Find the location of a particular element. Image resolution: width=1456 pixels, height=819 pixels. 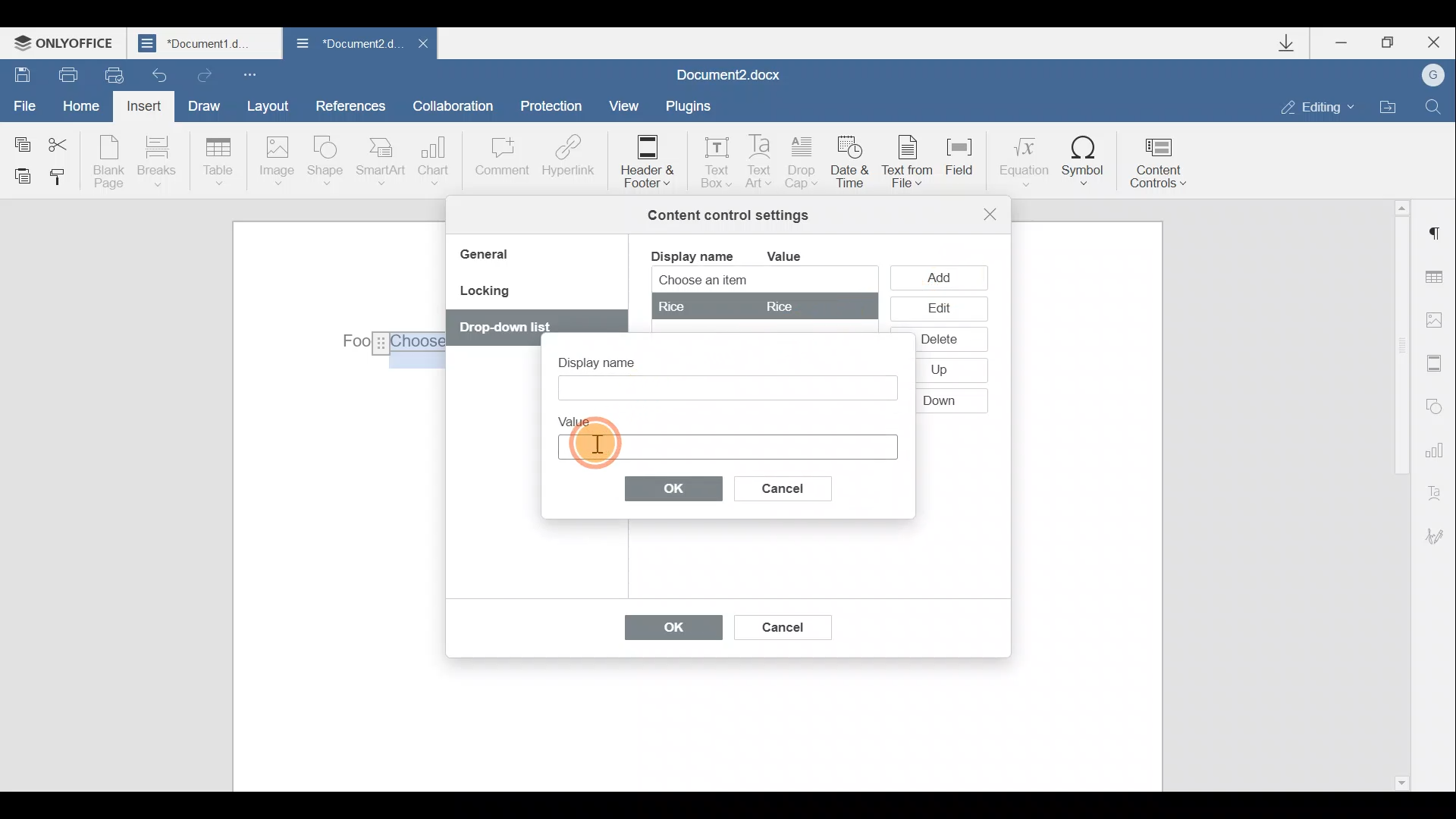

Table settings is located at coordinates (1439, 279).